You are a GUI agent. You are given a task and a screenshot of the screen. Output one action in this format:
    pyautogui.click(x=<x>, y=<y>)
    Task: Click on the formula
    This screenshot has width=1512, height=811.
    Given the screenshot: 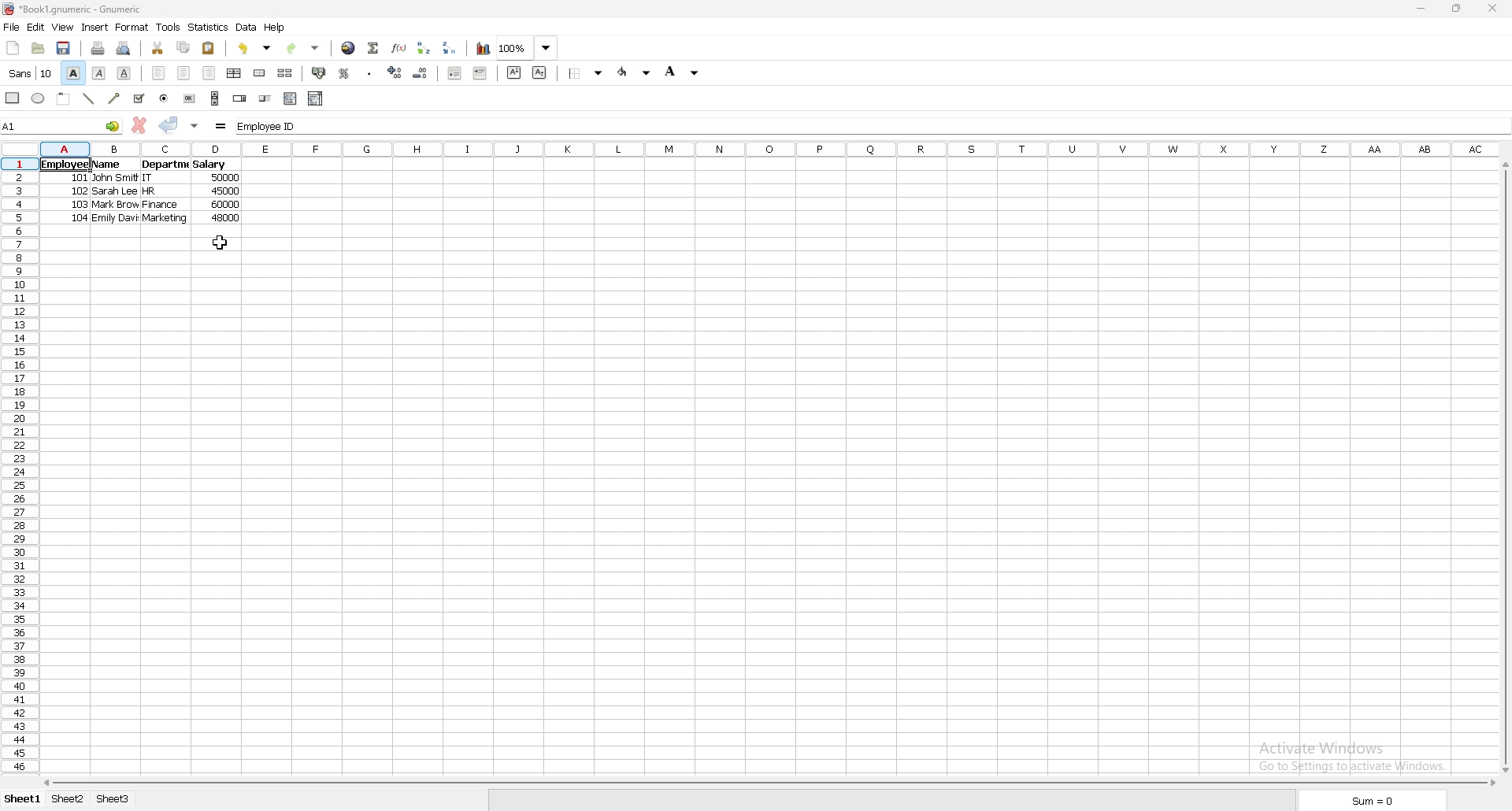 What is the action you would take?
    pyautogui.click(x=221, y=127)
    